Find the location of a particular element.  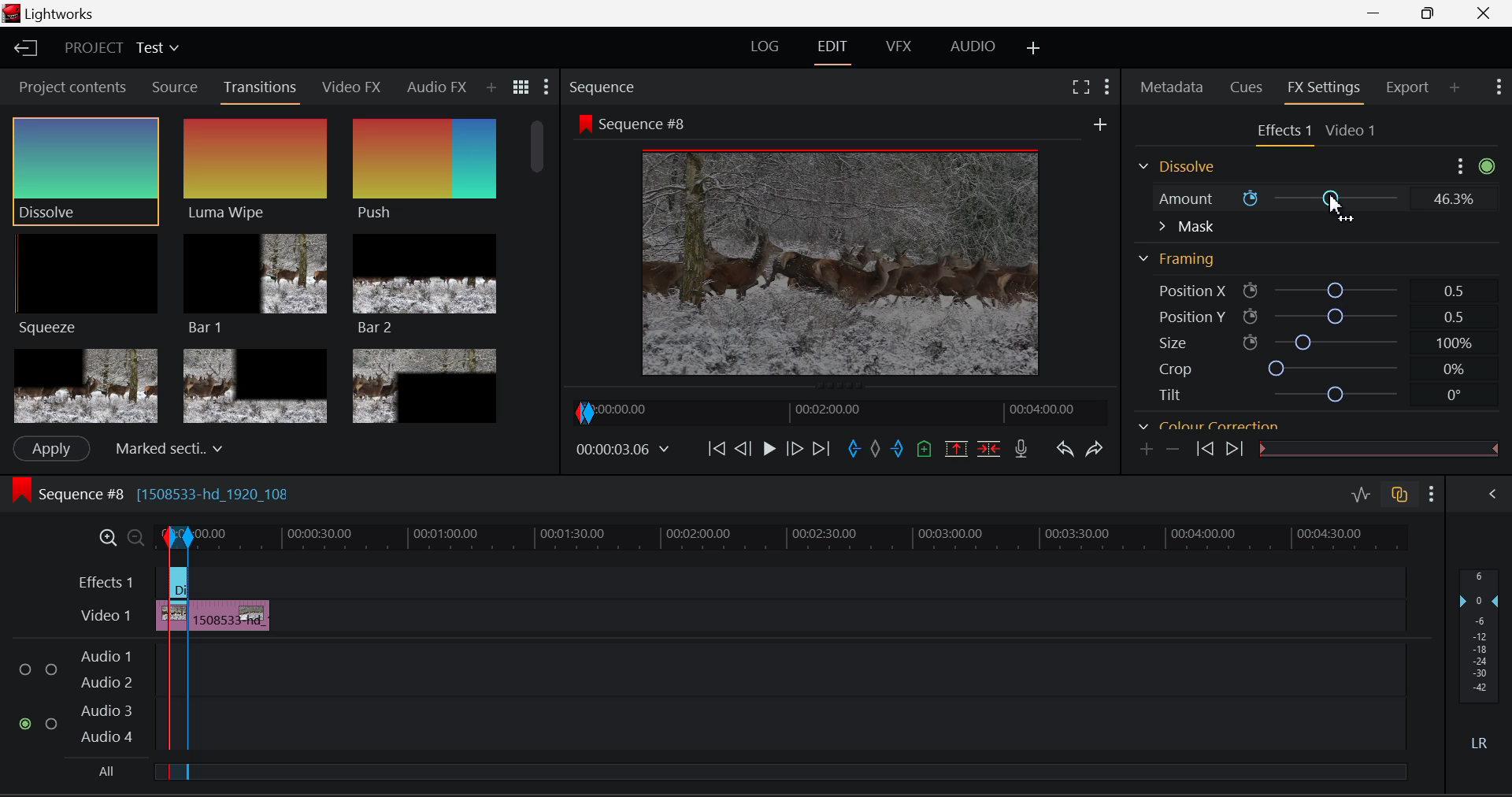

Audio 4 is located at coordinates (106, 736).